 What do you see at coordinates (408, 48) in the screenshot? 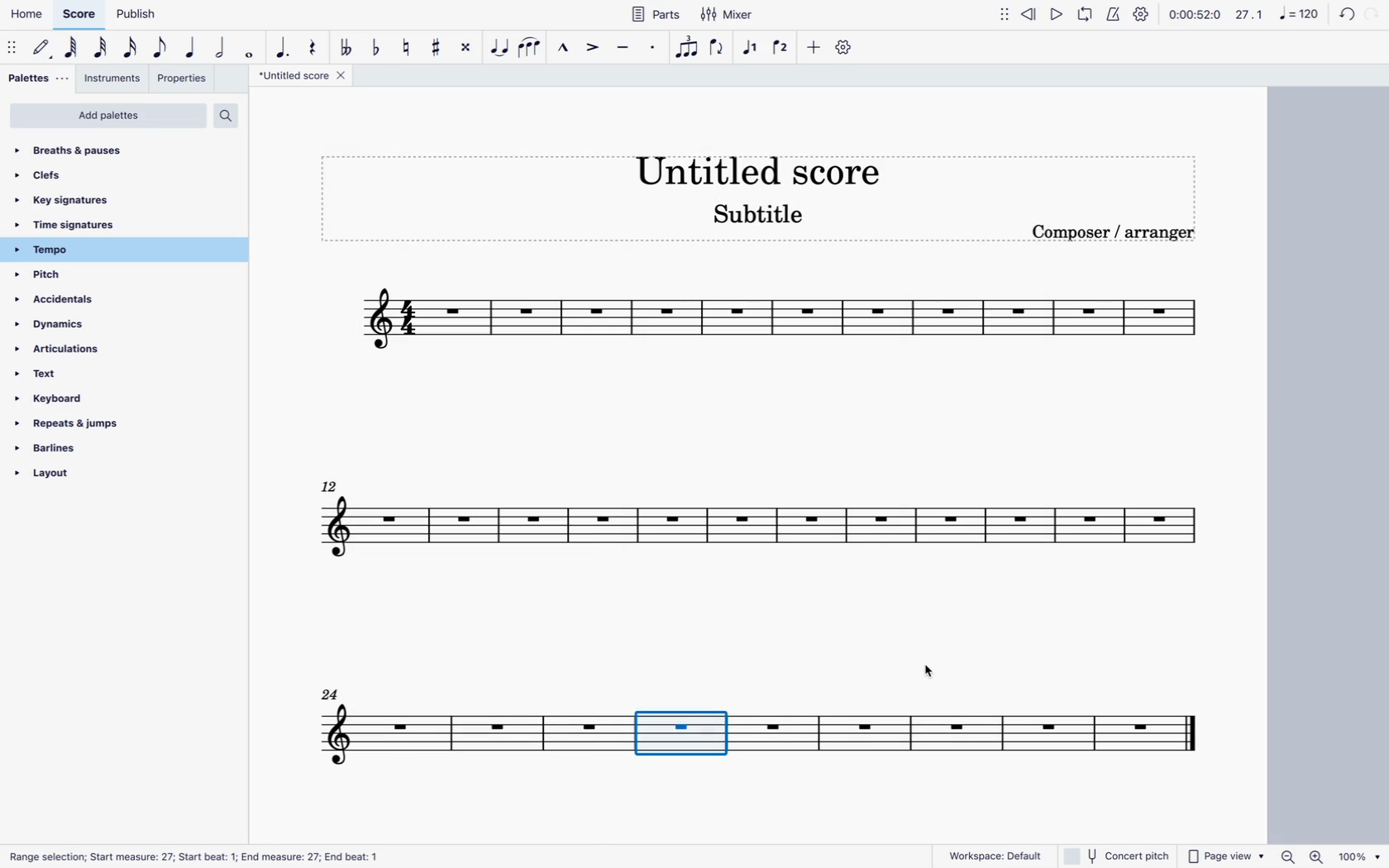
I see `toggle natural` at bounding box center [408, 48].